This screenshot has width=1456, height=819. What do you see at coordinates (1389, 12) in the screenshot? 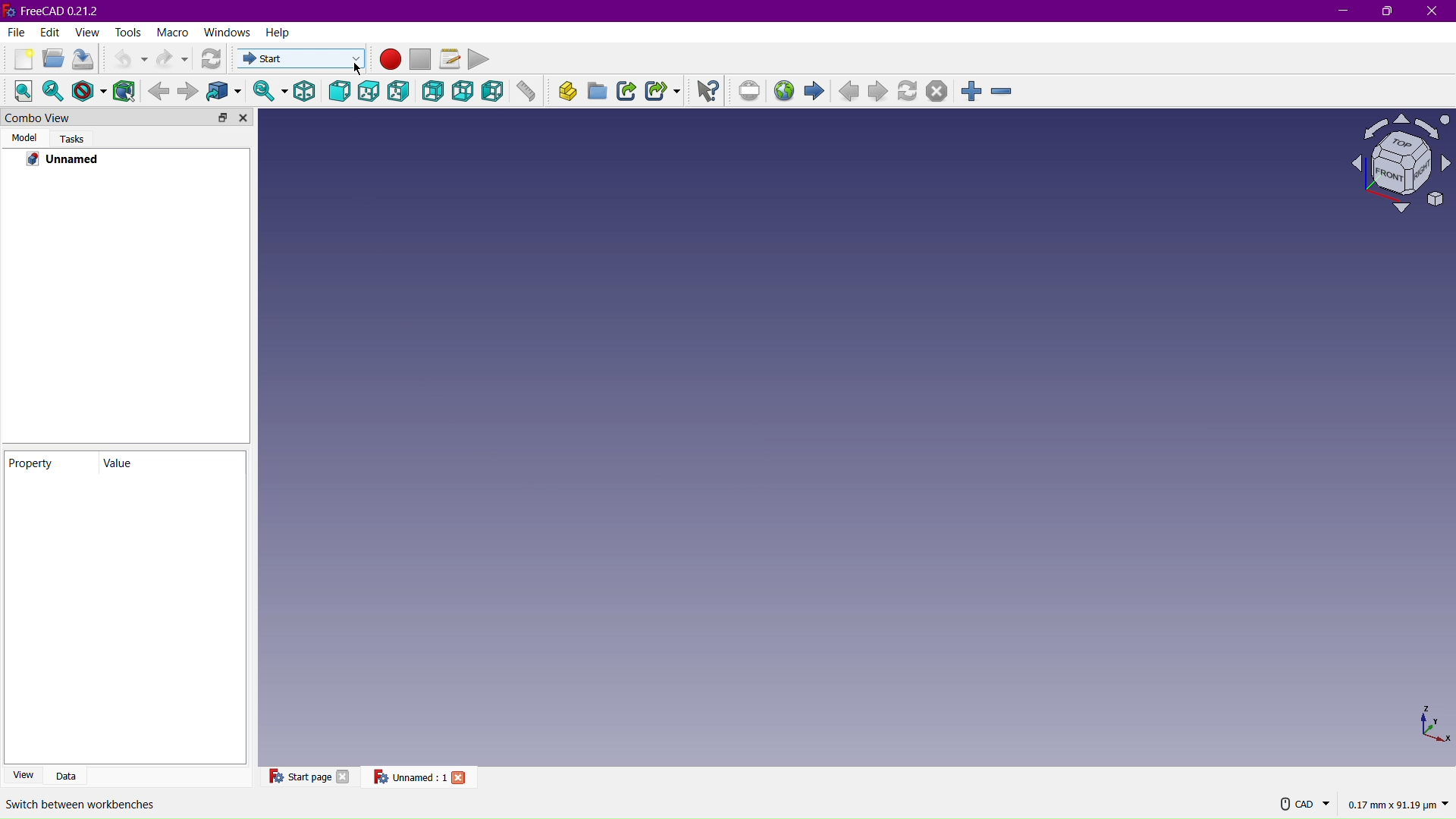
I see `Maximize` at bounding box center [1389, 12].